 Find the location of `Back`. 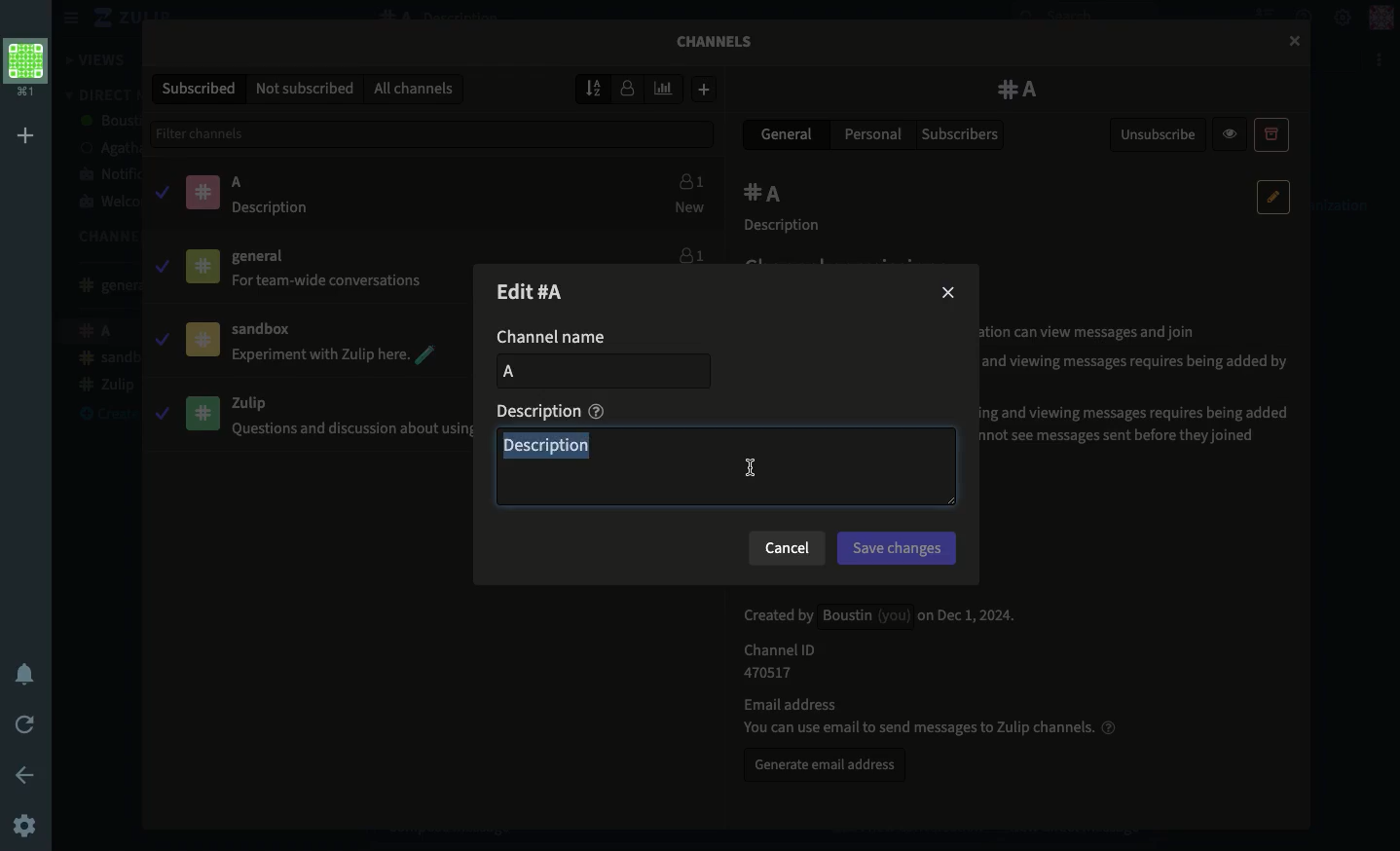

Back is located at coordinates (28, 774).